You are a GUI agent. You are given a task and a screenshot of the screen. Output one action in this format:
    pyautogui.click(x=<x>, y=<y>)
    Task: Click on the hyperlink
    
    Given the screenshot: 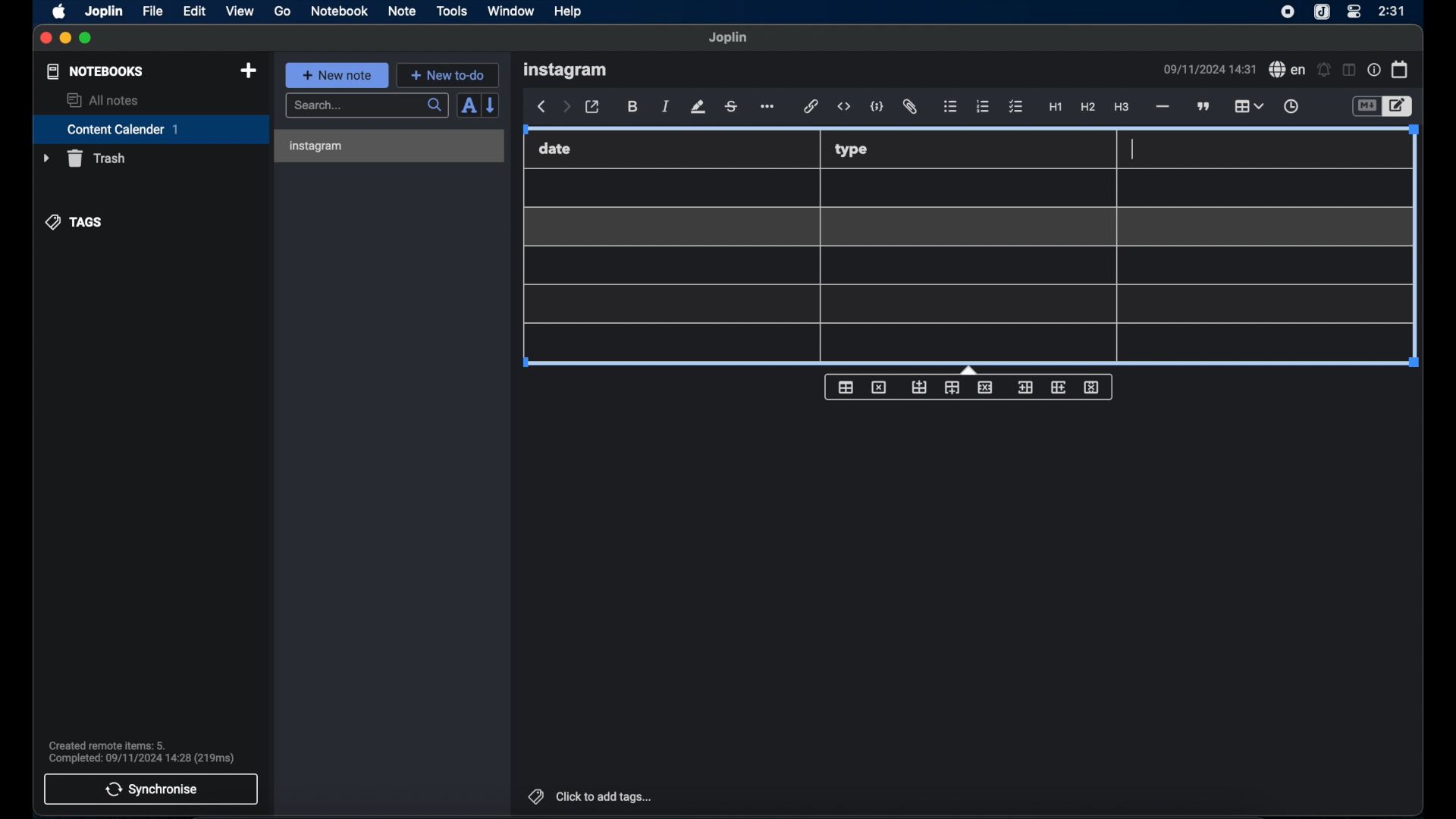 What is the action you would take?
    pyautogui.click(x=810, y=105)
    